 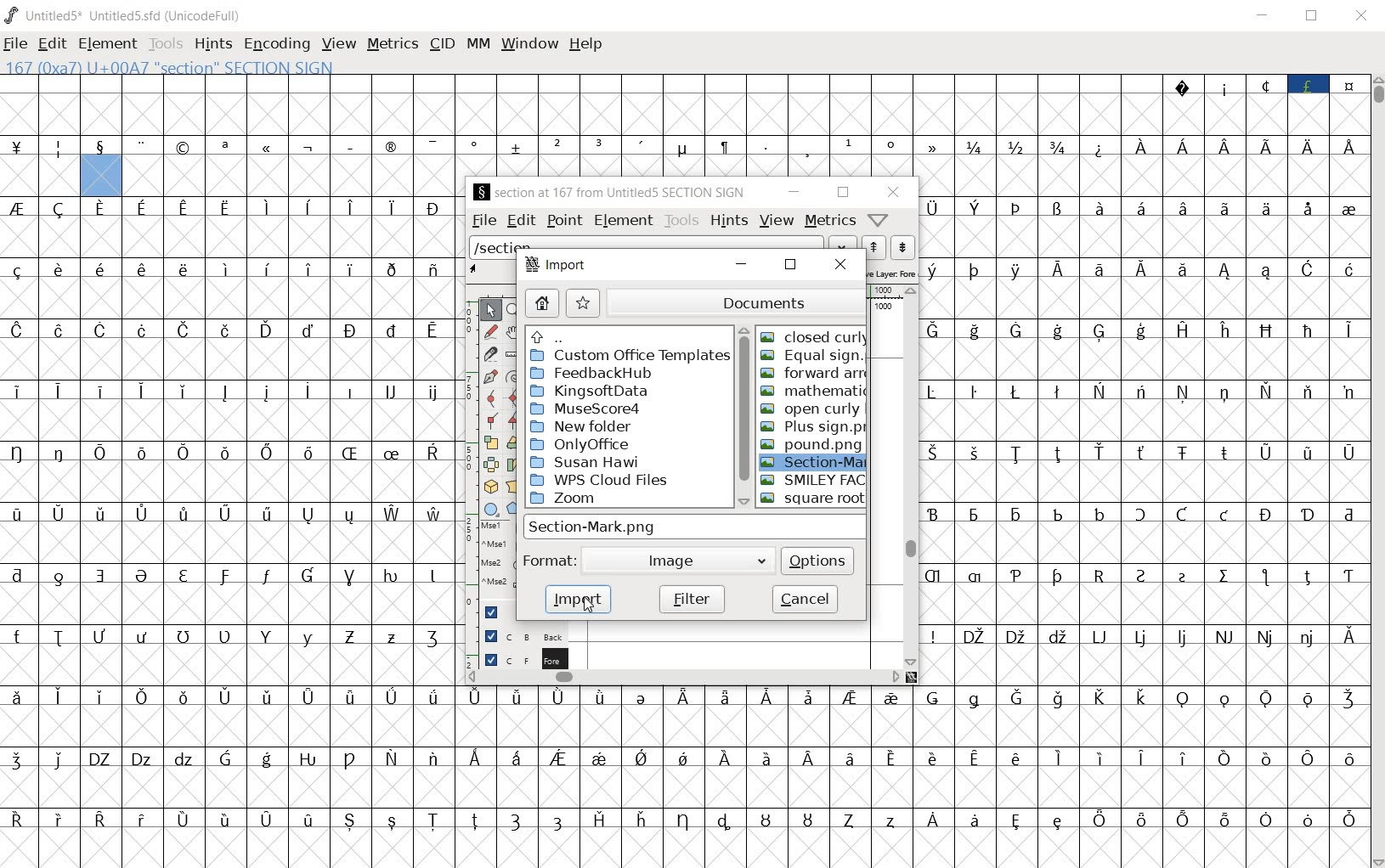 I want to click on MAGNIFY, so click(x=515, y=309).